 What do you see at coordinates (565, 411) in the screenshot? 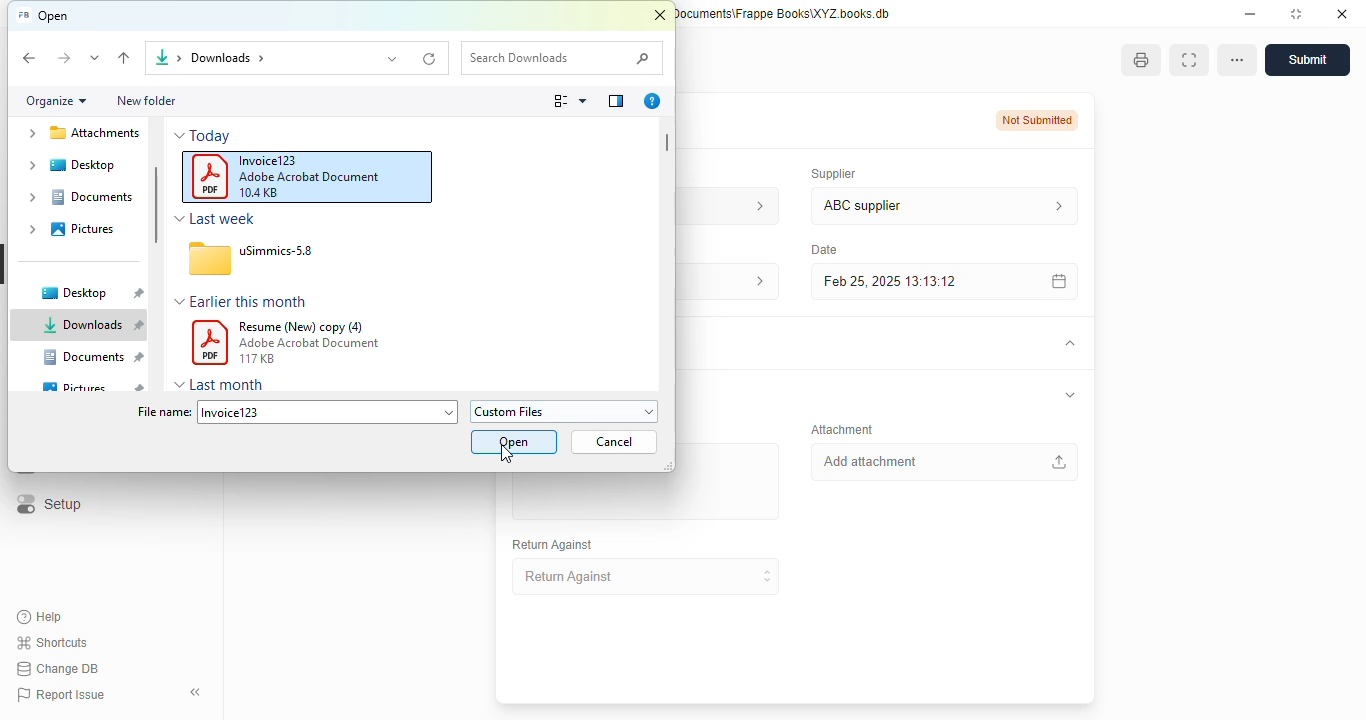
I see `custom files` at bounding box center [565, 411].